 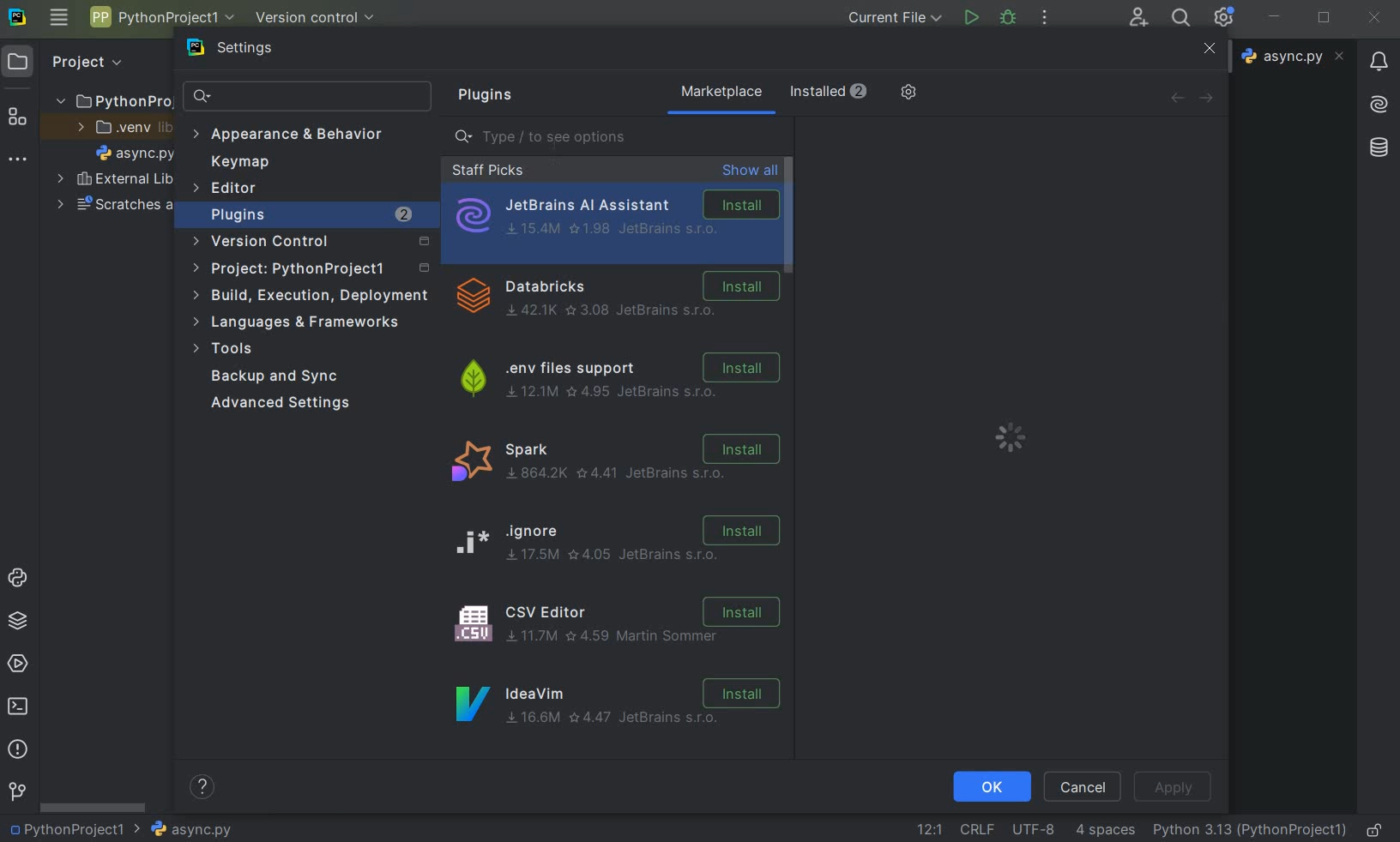 I want to click on ignore, so click(x=618, y=538).